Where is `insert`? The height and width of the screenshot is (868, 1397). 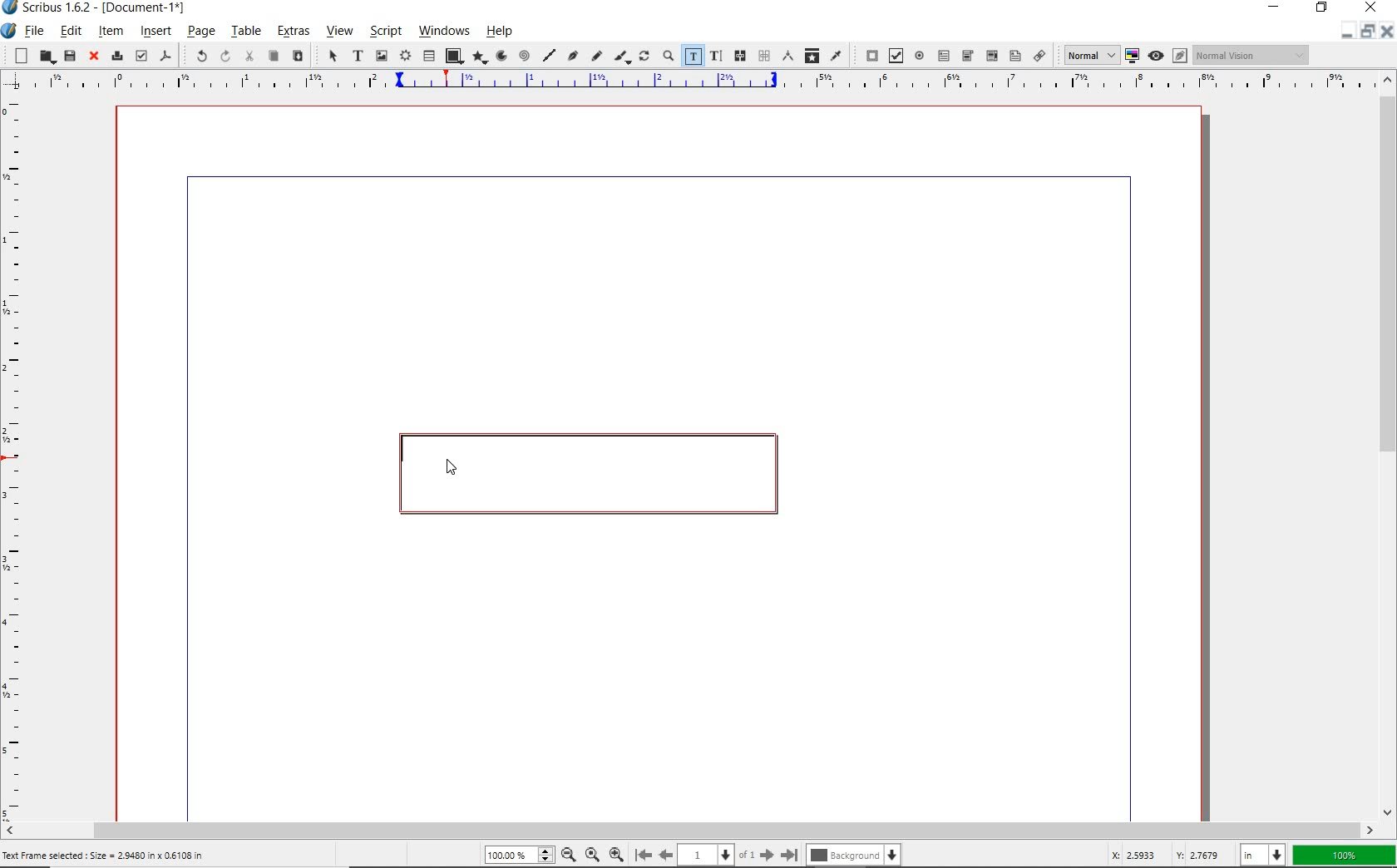 insert is located at coordinates (155, 32).